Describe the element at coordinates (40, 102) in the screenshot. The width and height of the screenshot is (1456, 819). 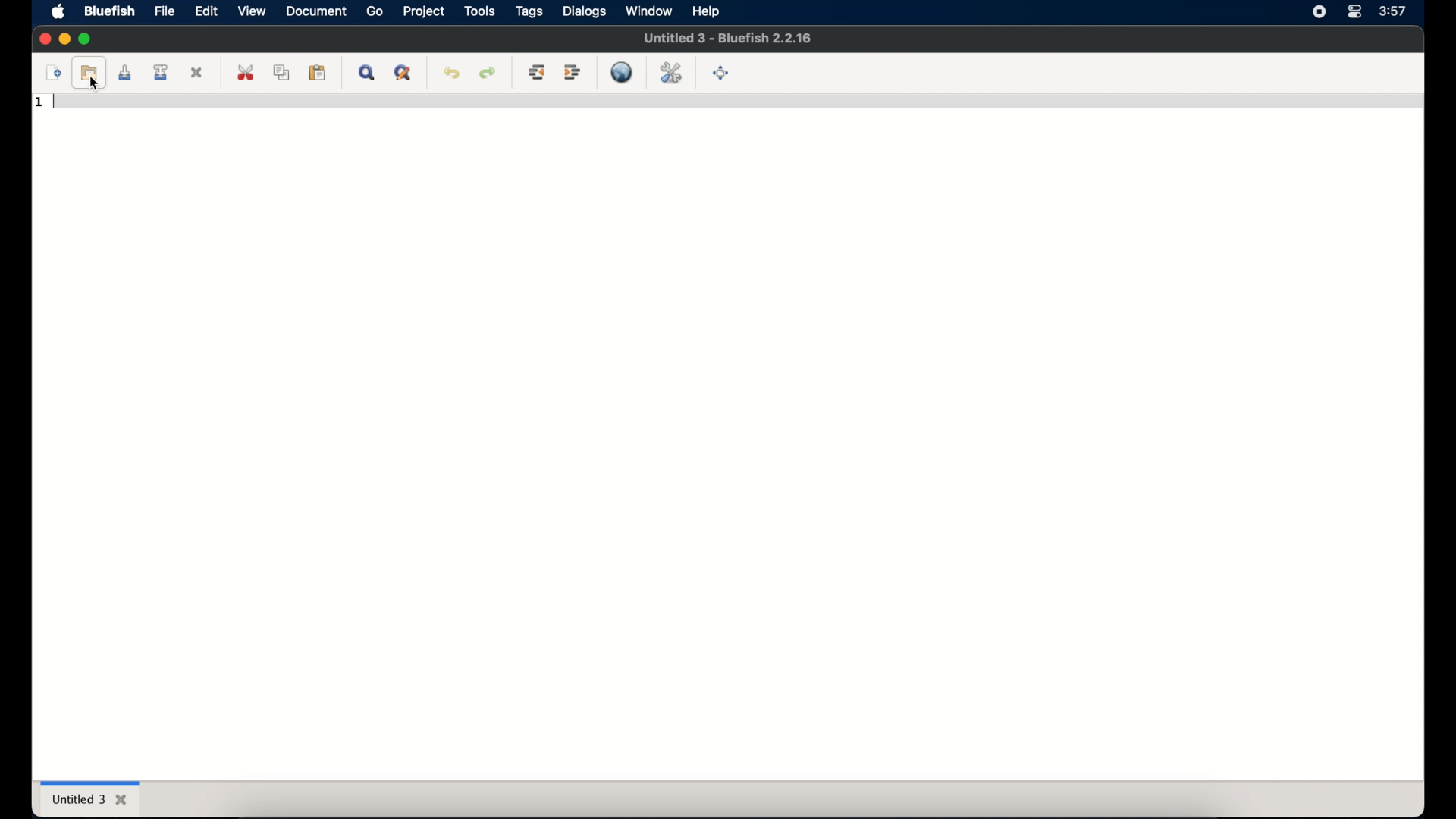
I see `1` at that location.